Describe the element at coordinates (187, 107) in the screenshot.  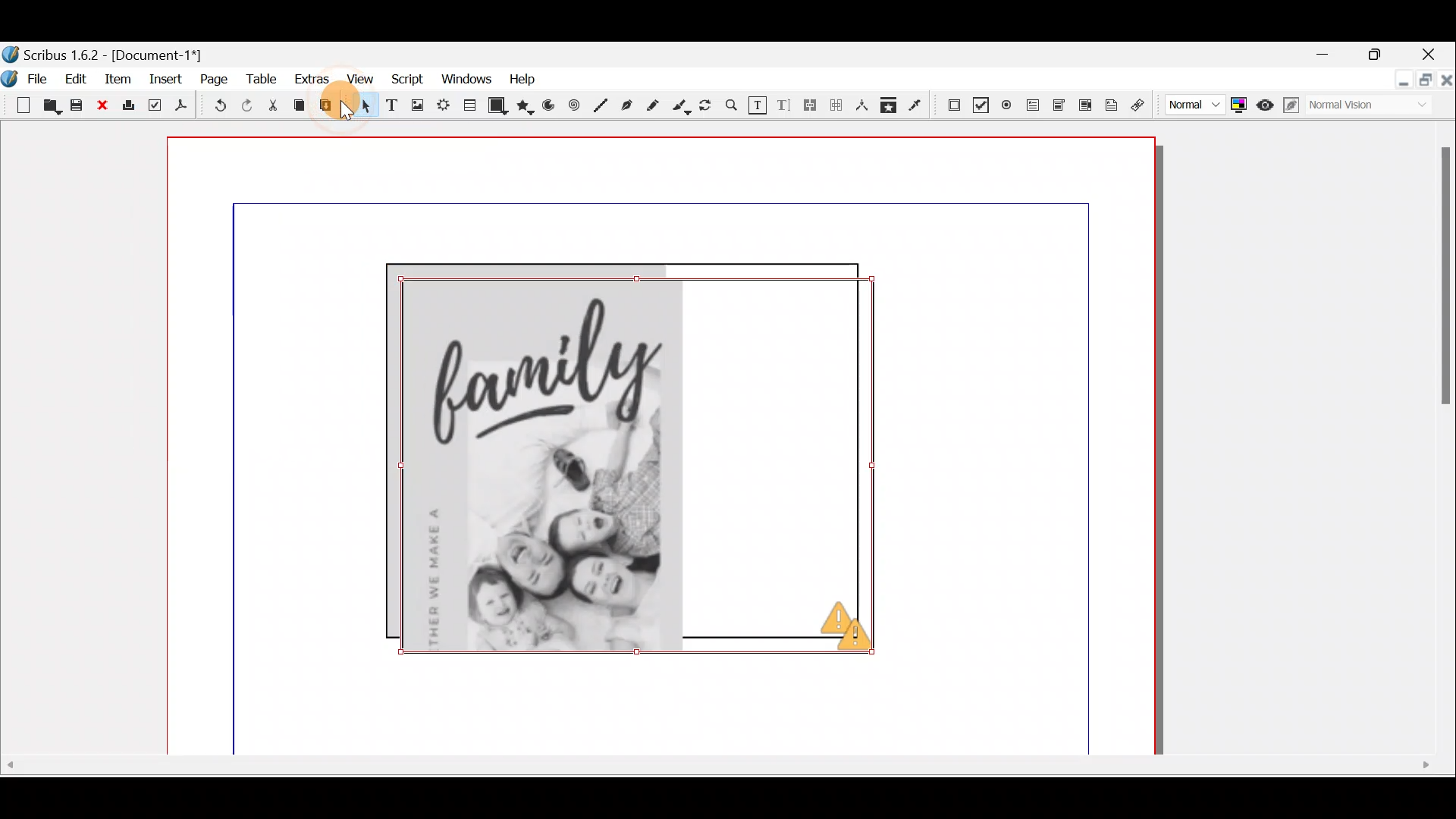
I see `Save as PDF` at that location.